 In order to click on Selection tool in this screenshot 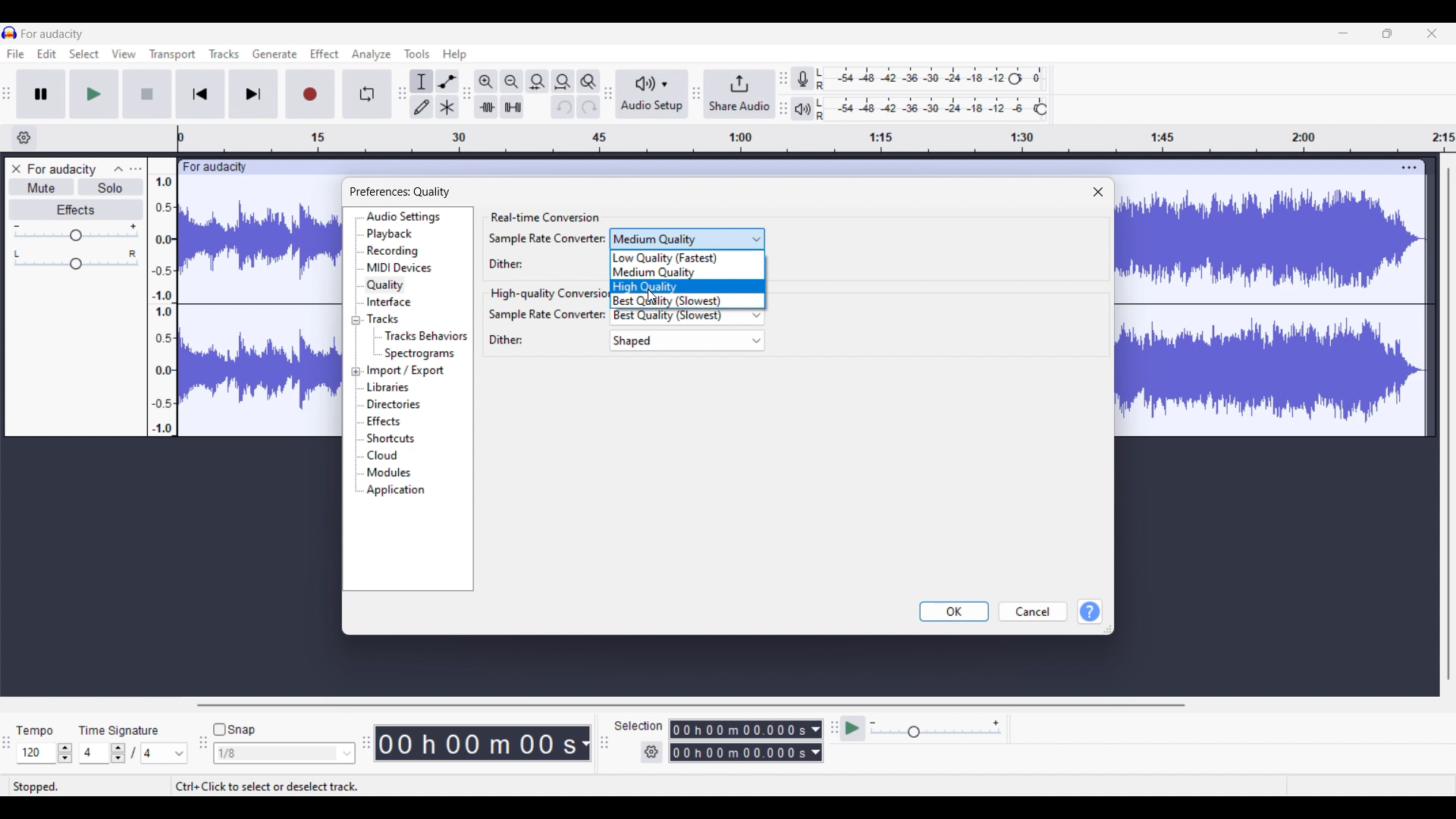, I will do `click(422, 81)`.